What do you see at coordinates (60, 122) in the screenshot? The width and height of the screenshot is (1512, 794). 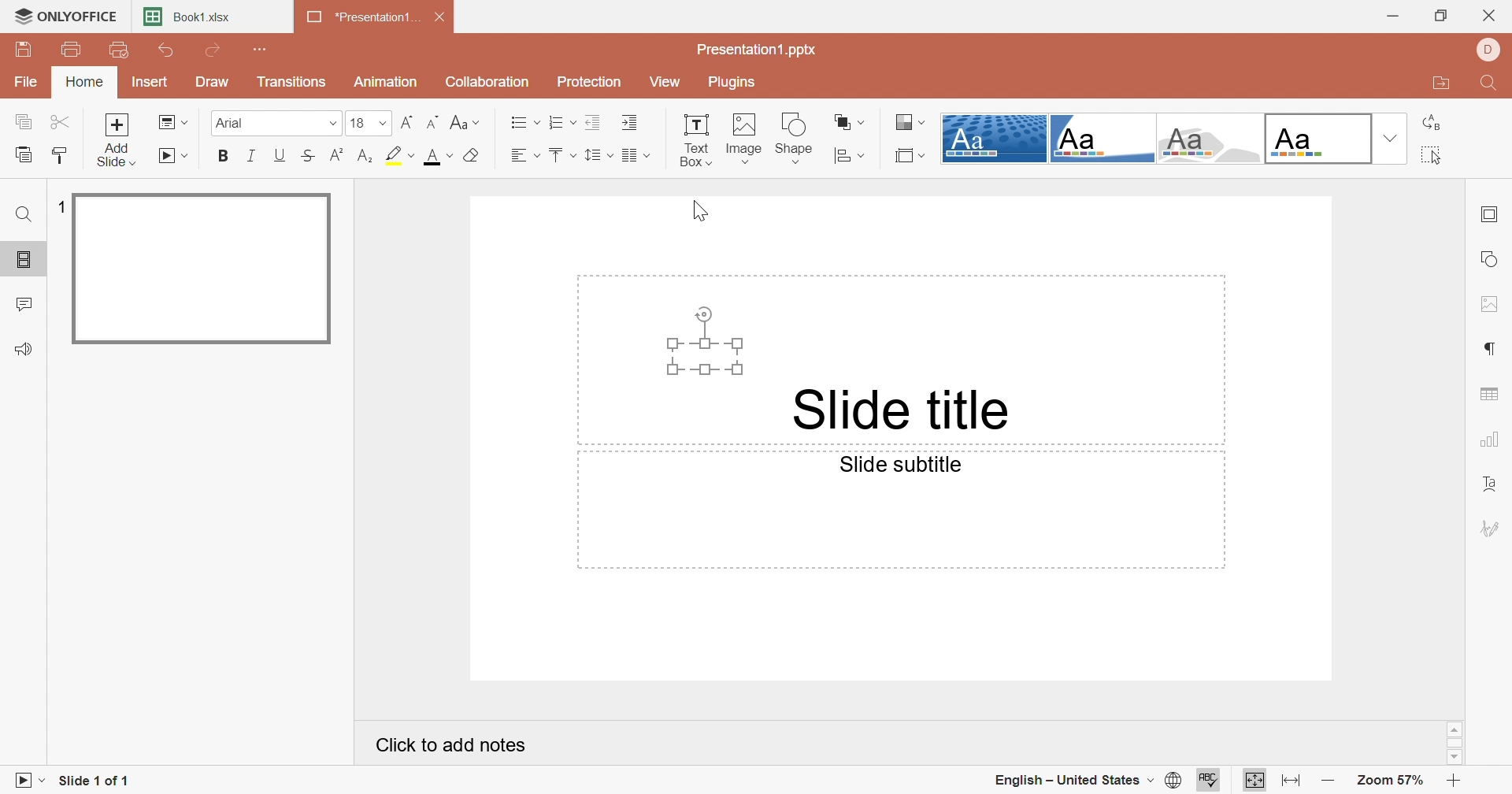 I see `Cut` at bounding box center [60, 122].